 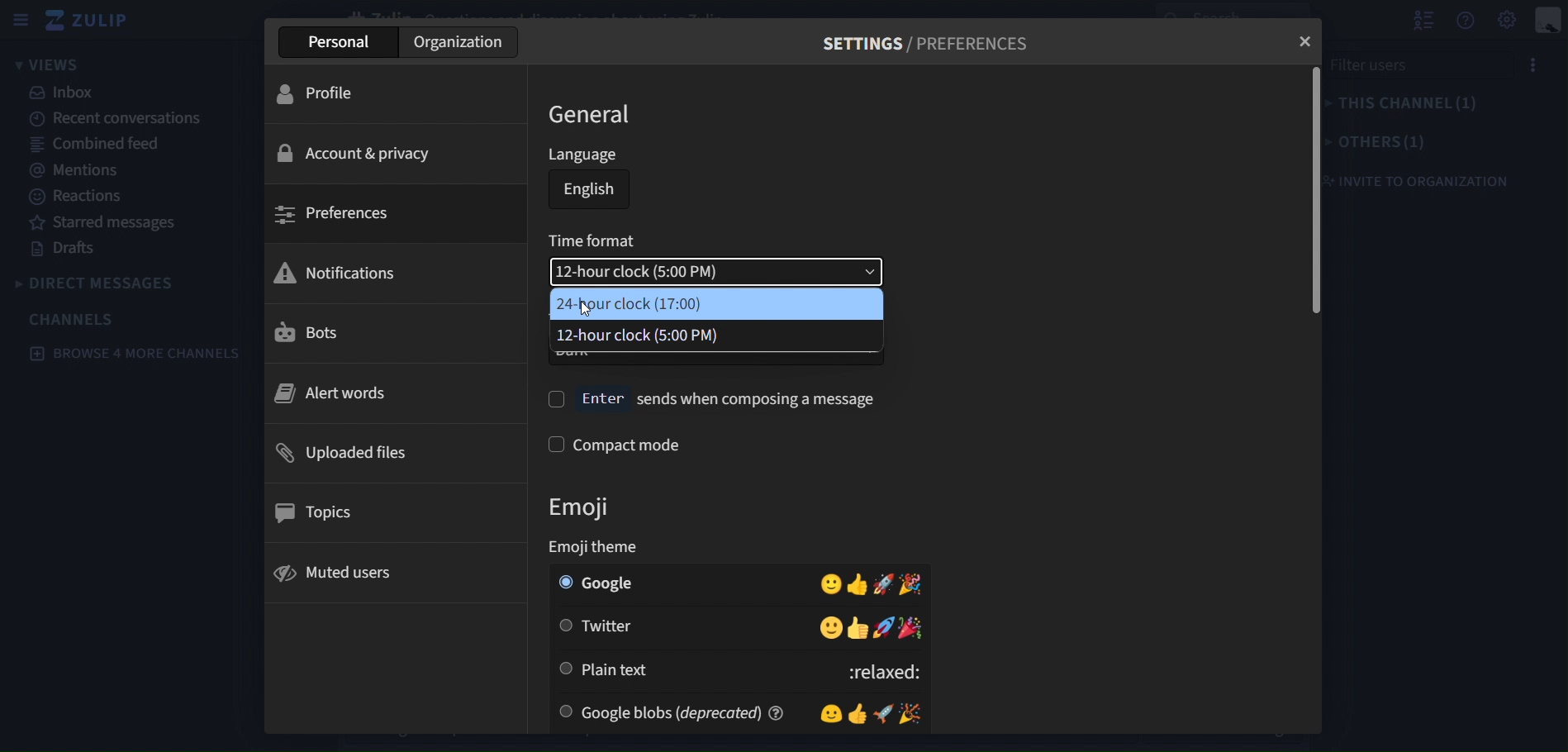 What do you see at coordinates (1551, 21) in the screenshot?
I see `personal menu` at bounding box center [1551, 21].